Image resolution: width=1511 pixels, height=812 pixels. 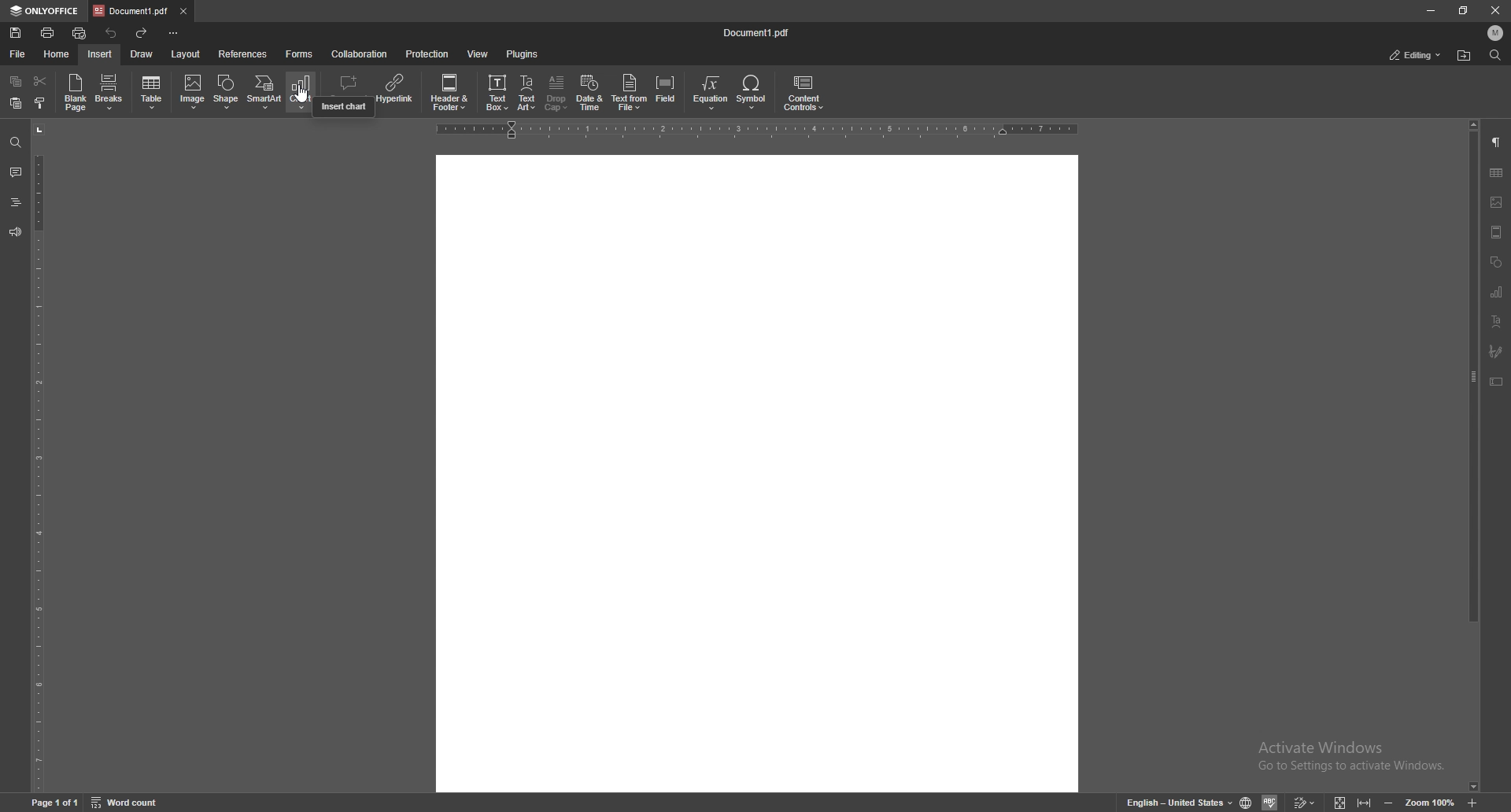 What do you see at coordinates (175, 33) in the screenshot?
I see `configure tool bar` at bounding box center [175, 33].